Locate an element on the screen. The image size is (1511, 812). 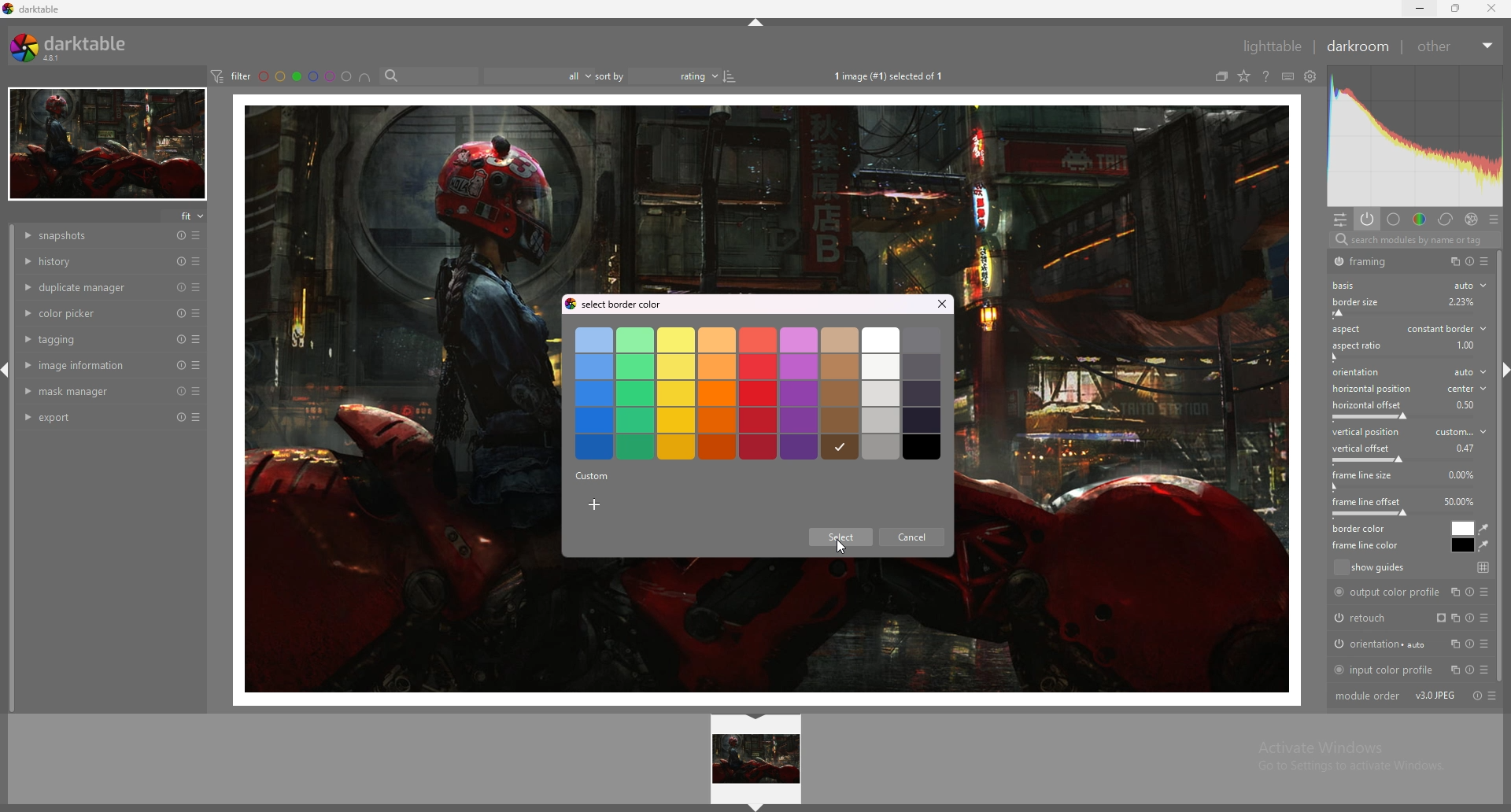
history is located at coordinates (93, 260).